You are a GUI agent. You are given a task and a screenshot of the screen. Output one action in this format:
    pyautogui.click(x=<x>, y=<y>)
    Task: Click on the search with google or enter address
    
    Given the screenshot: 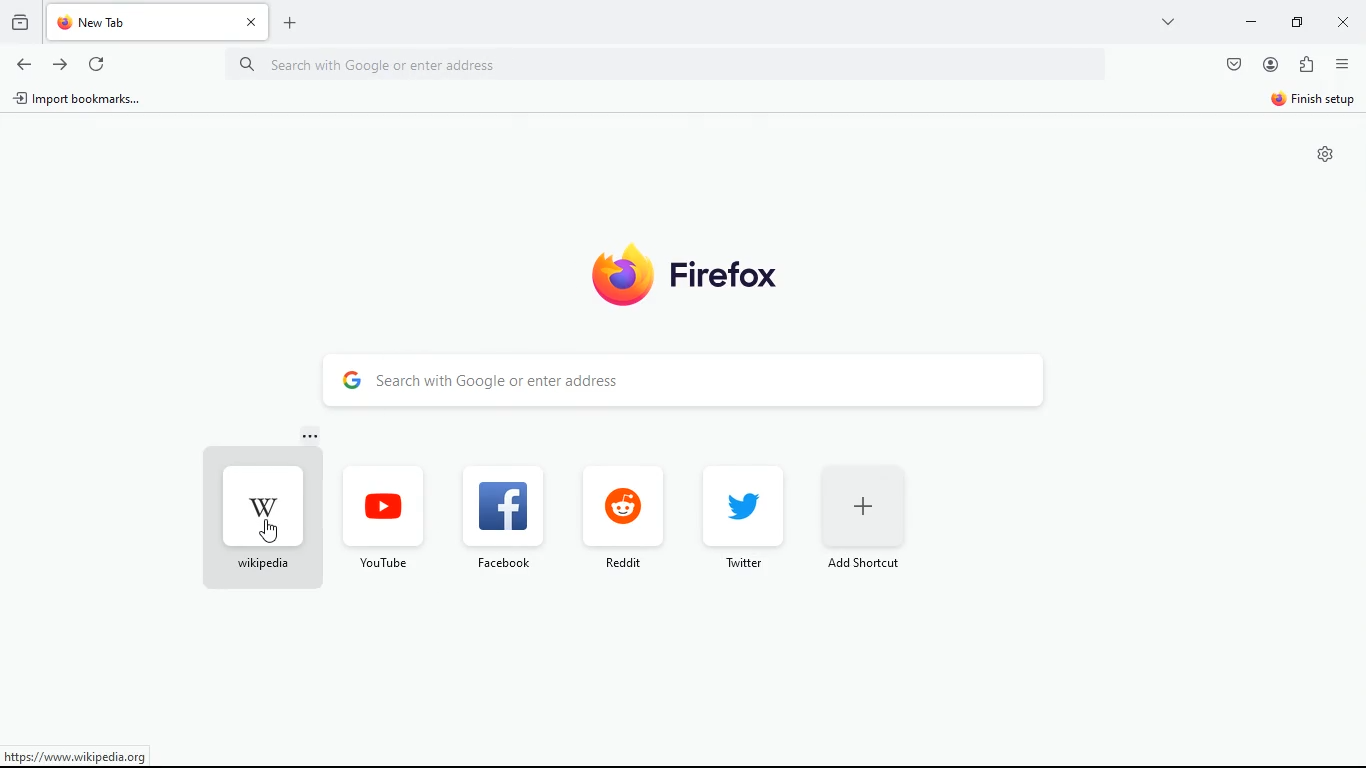 What is the action you would take?
    pyautogui.click(x=690, y=381)
    